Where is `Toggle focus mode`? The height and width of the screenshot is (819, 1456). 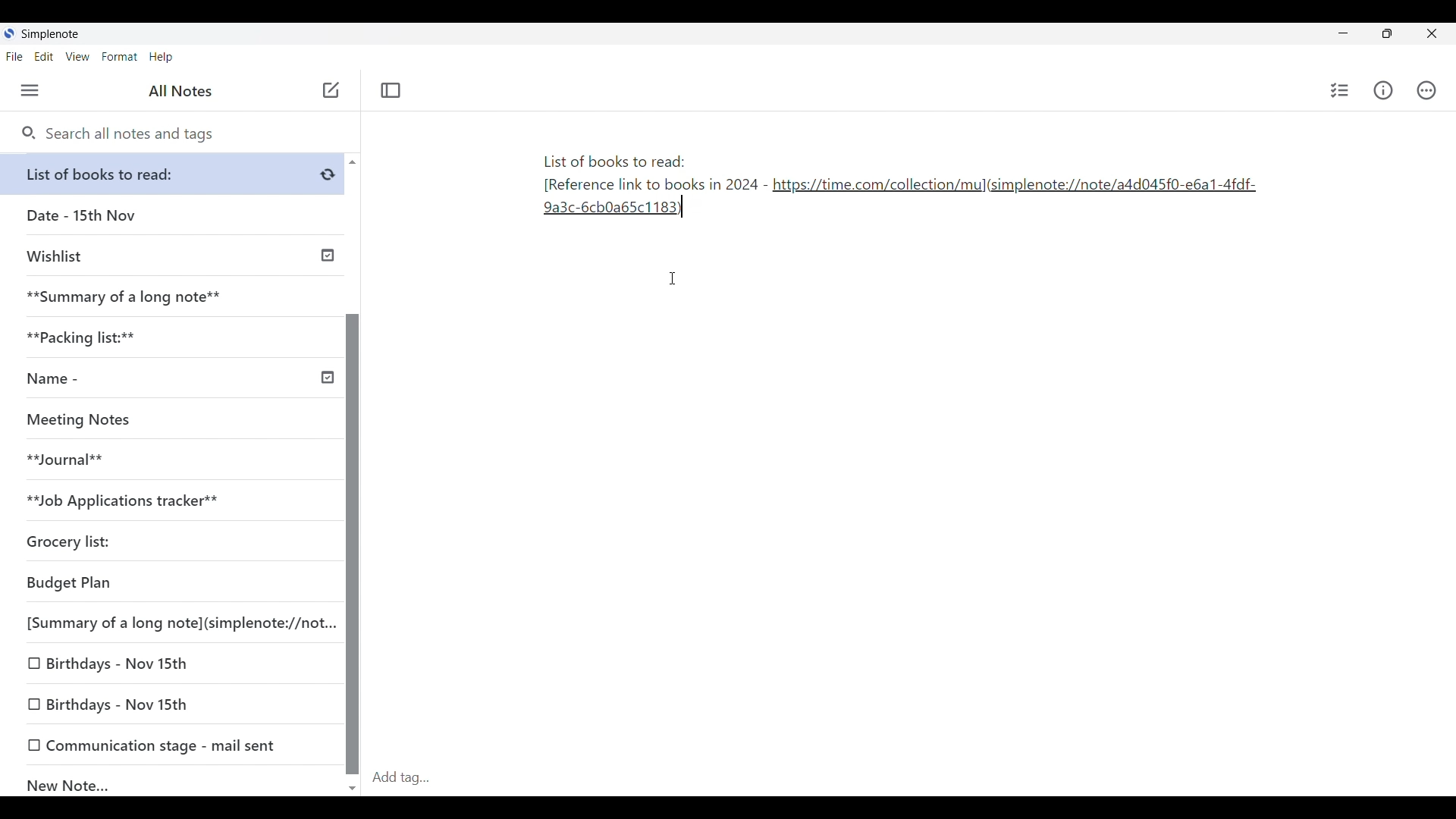 Toggle focus mode is located at coordinates (391, 90).